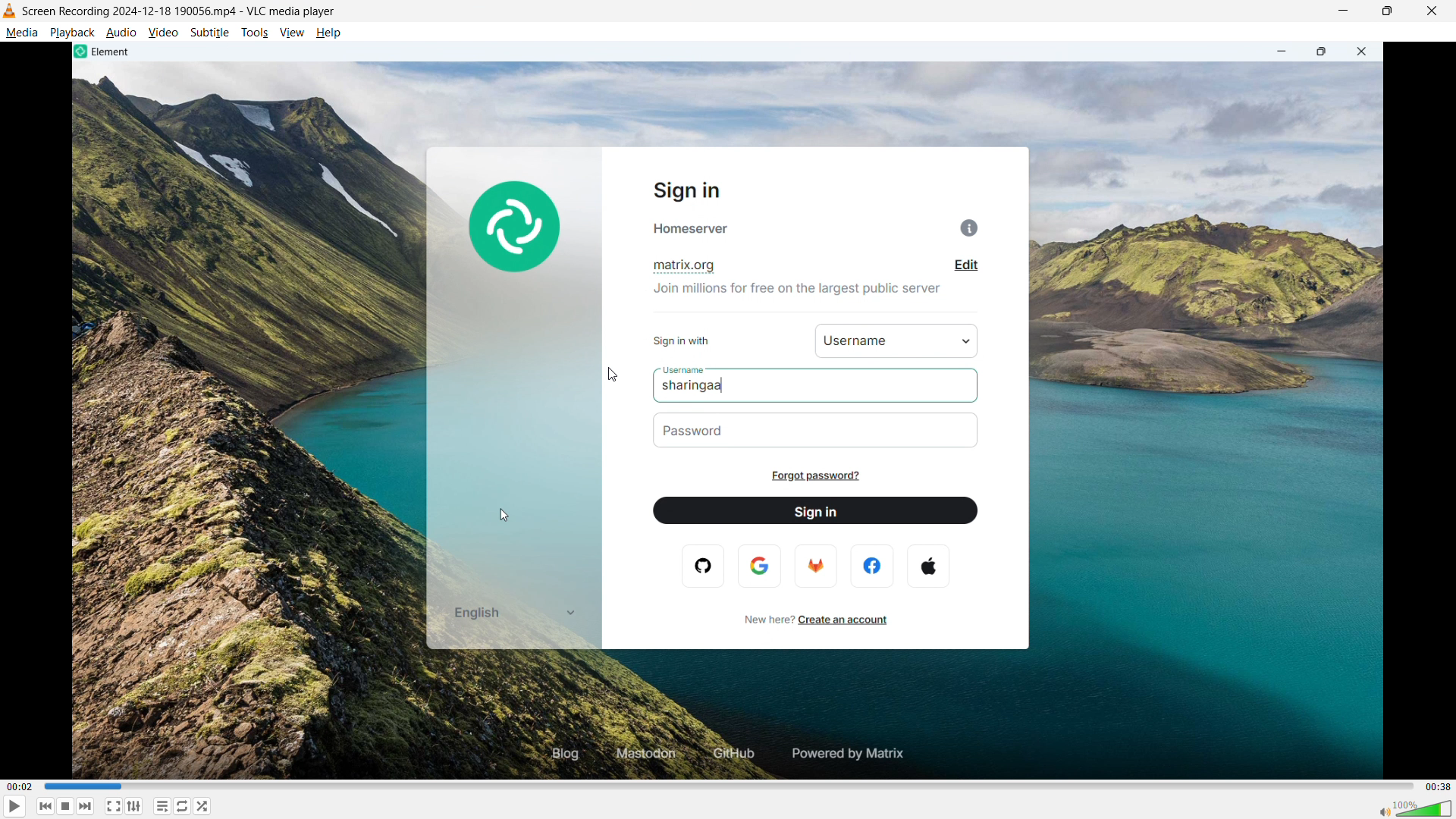  I want to click on Show advanced settings , so click(143, 807).